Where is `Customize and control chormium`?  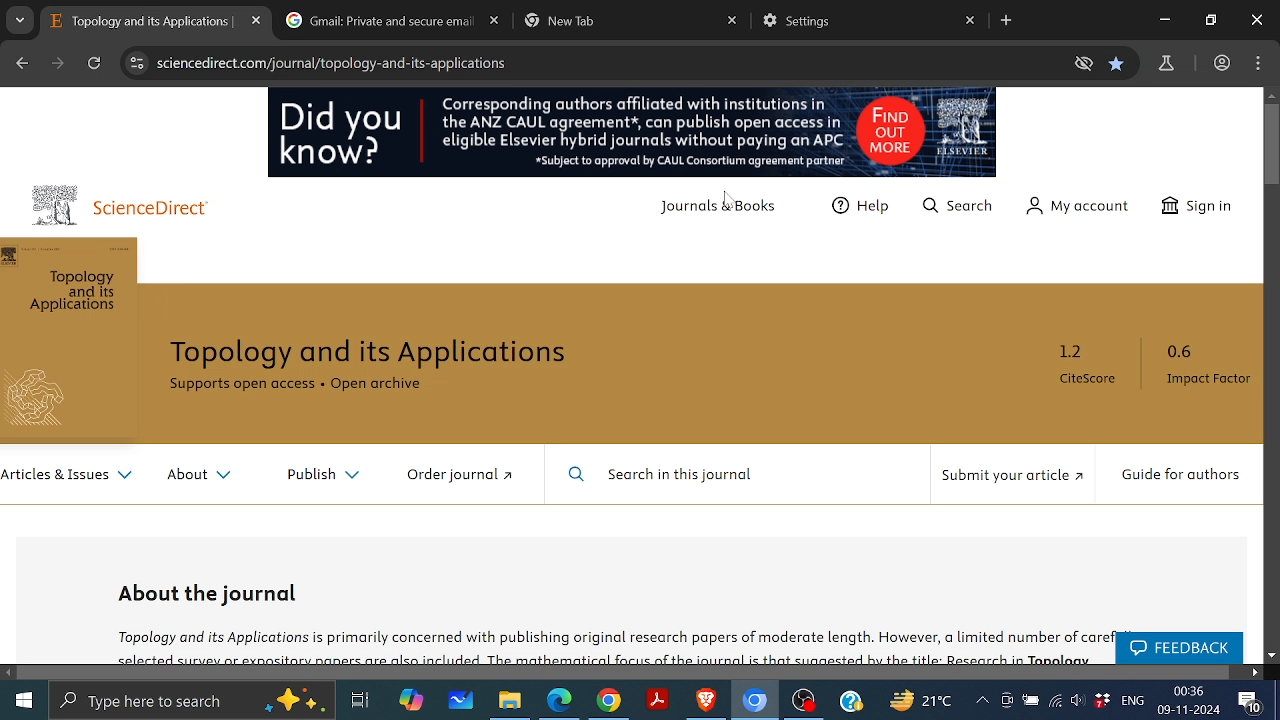 Customize and control chormium is located at coordinates (1259, 63).